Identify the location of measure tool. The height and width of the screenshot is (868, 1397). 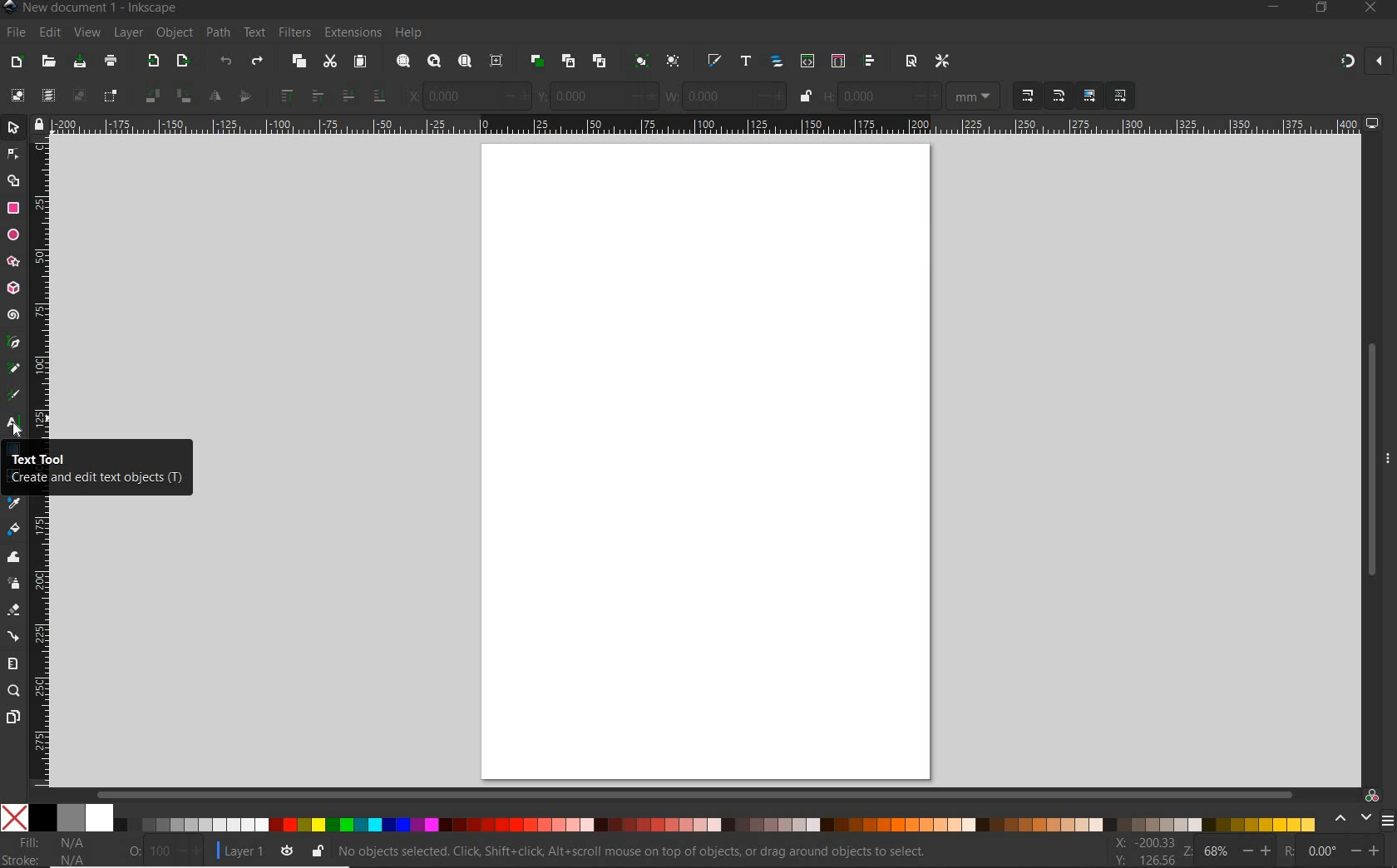
(13, 663).